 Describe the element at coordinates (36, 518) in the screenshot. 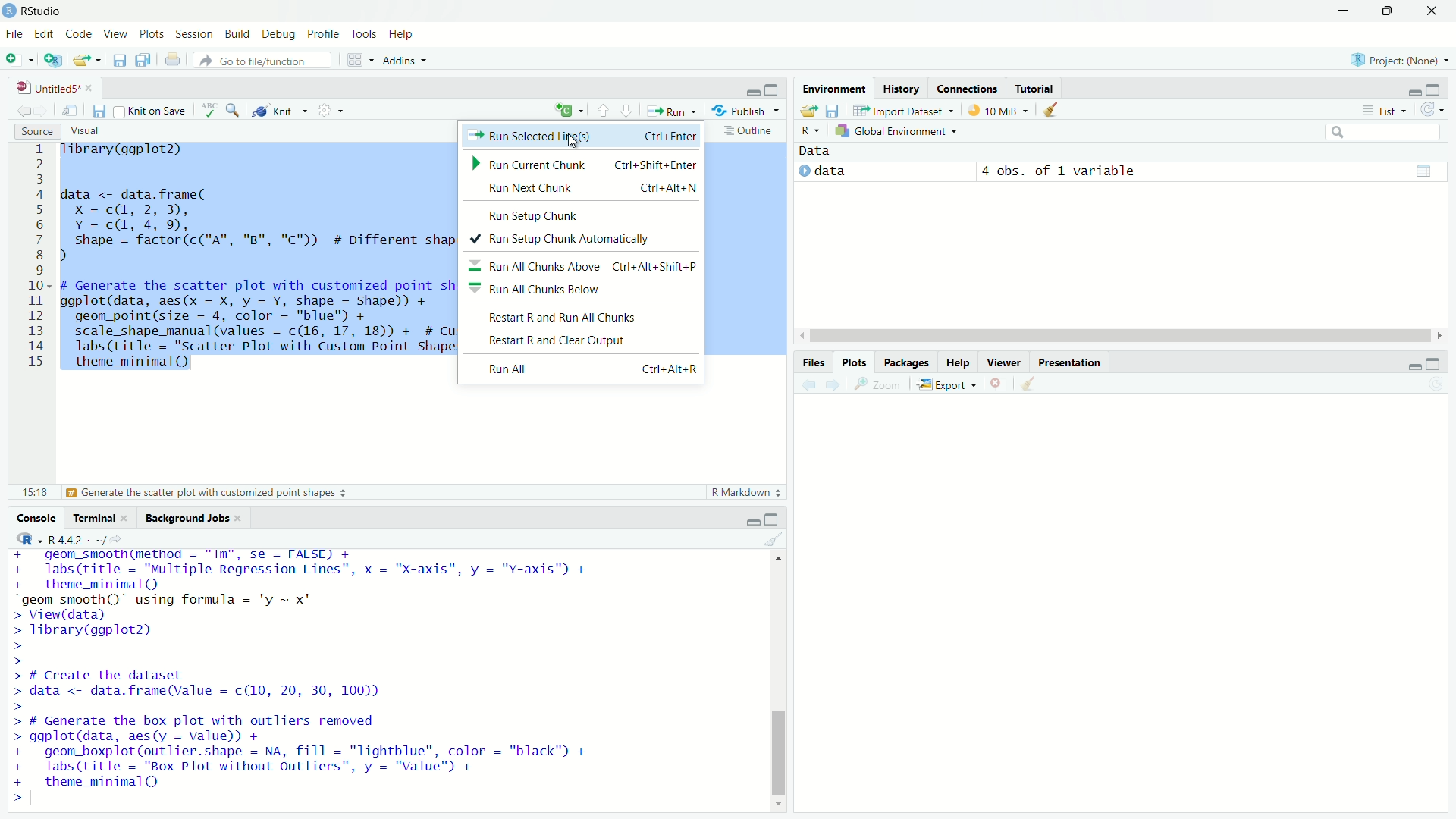

I see `Console` at that location.